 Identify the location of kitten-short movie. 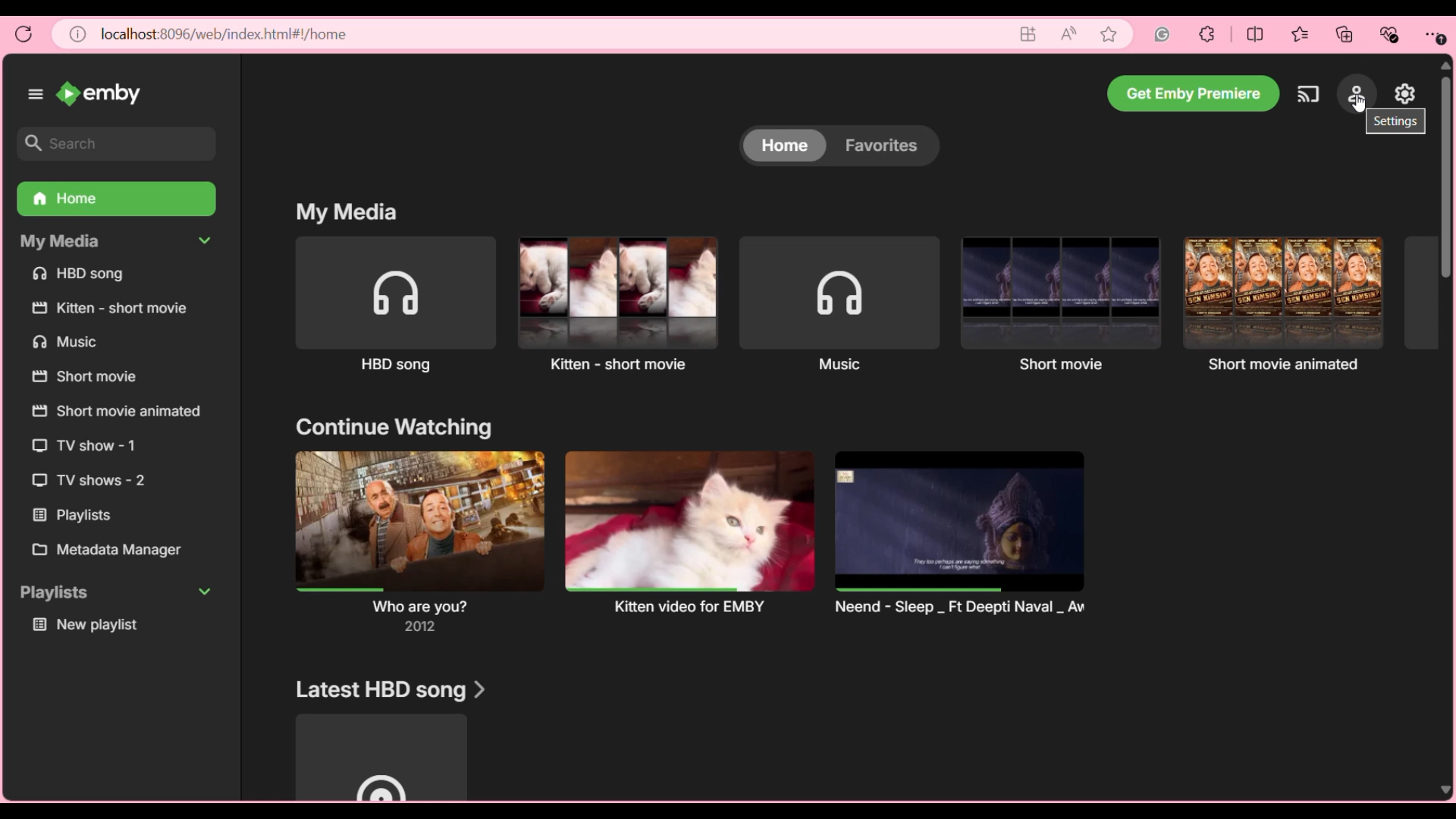
(113, 310).